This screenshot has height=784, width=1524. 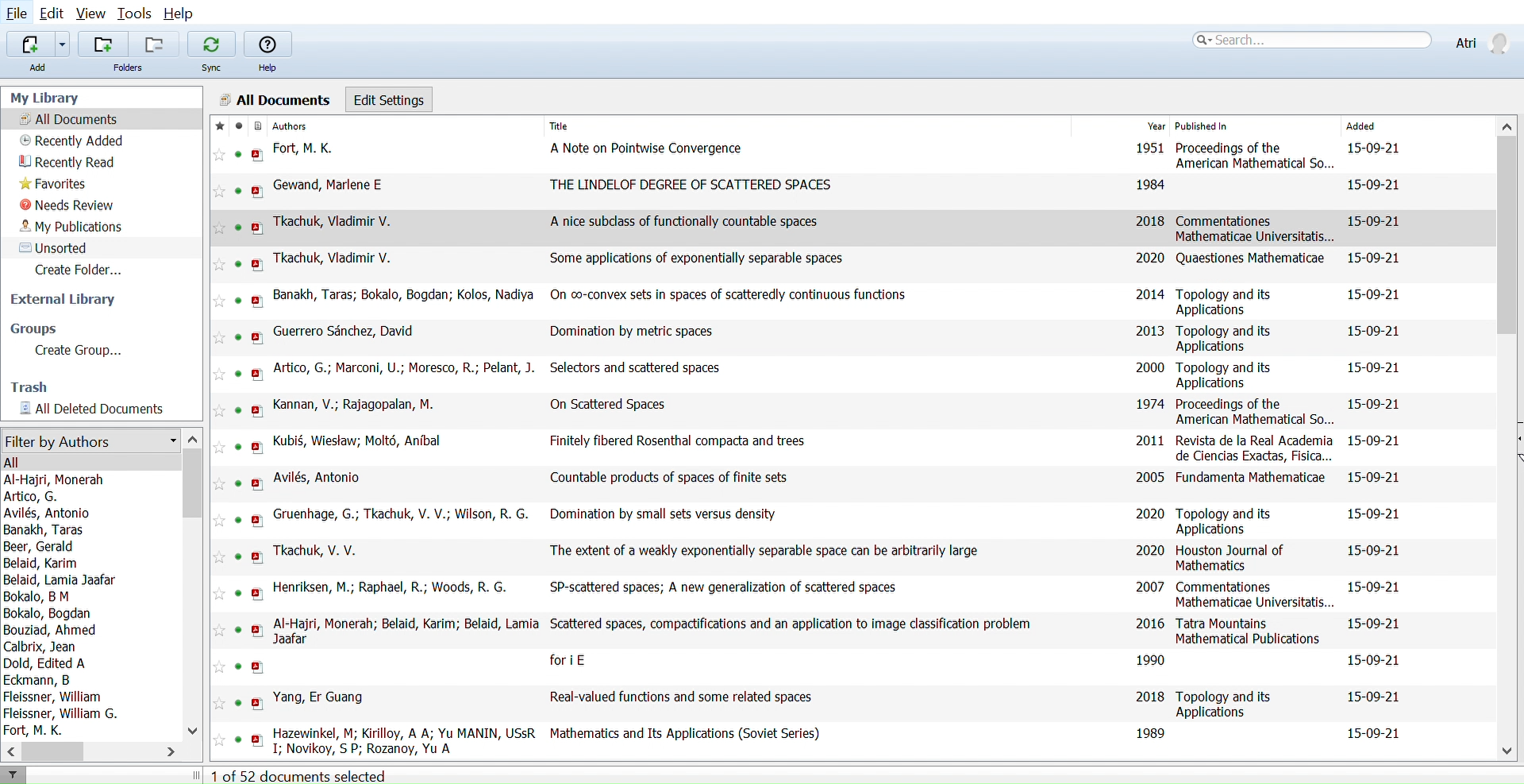 I want to click on Finitely fibered Rosenthal compacta and trees, so click(x=679, y=440).